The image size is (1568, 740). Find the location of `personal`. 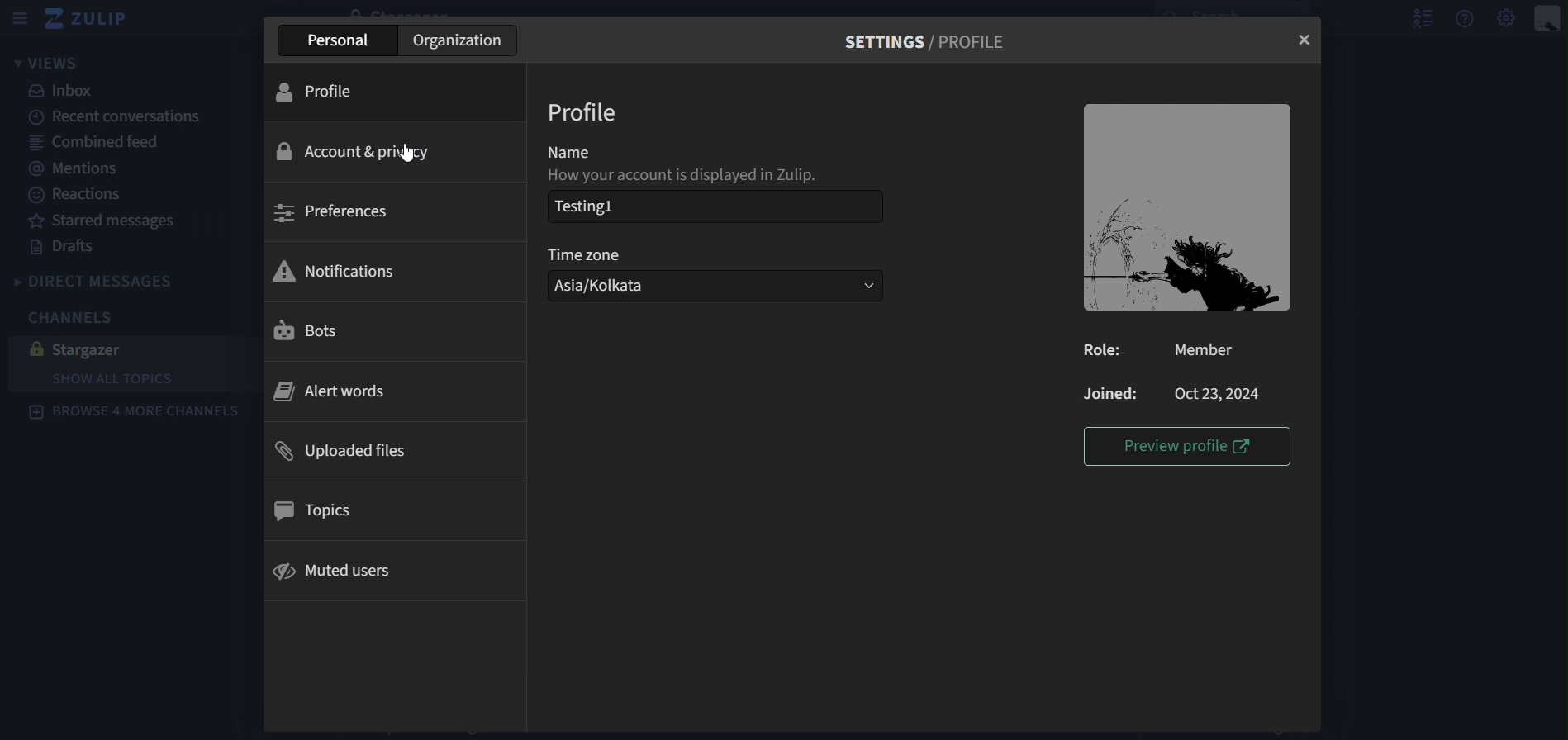

personal is located at coordinates (340, 40).